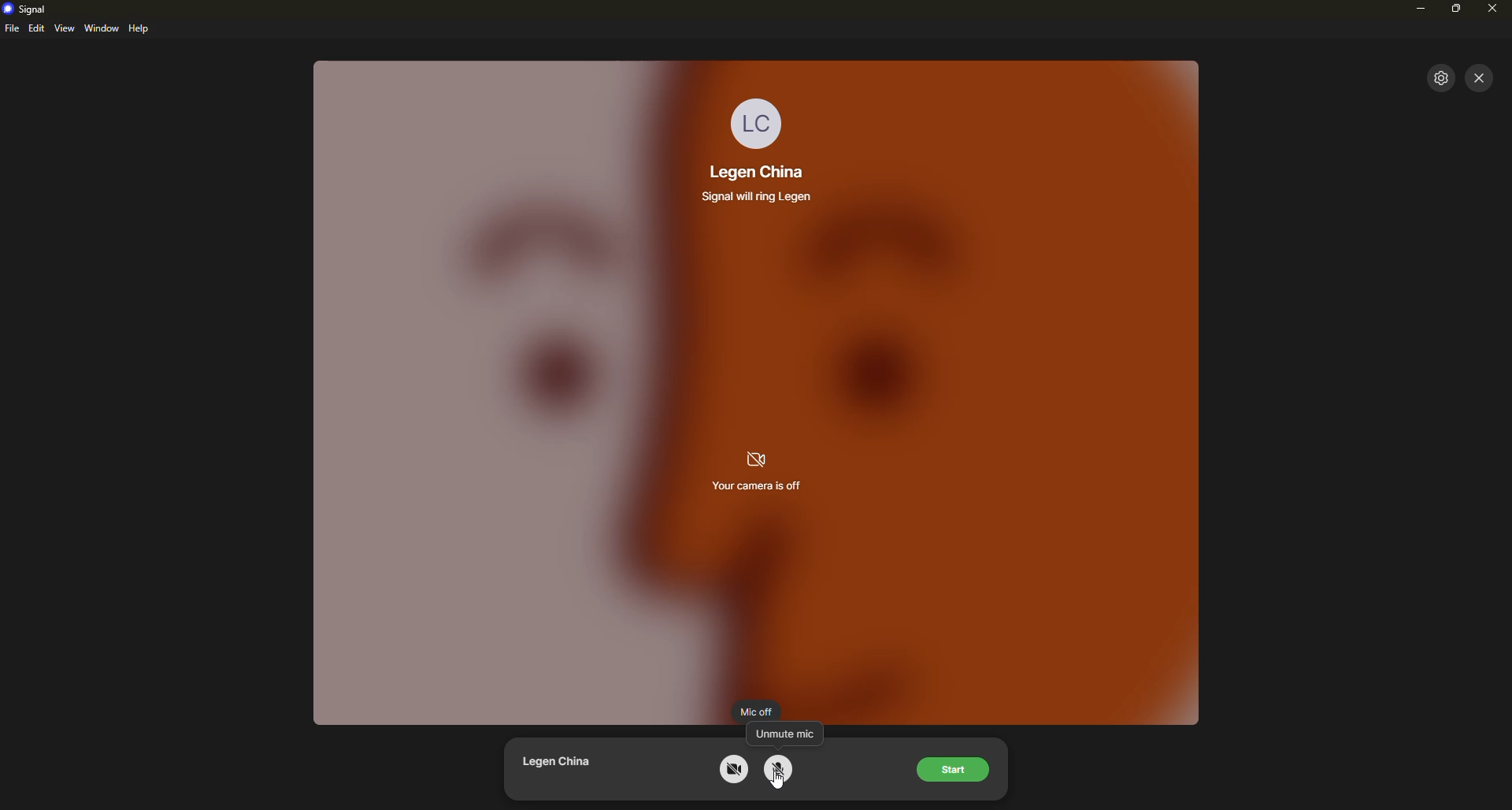 The height and width of the screenshot is (810, 1512). What do you see at coordinates (1422, 9) in the screenshot?
I see `minimize` at bounding box center [1422, 9].